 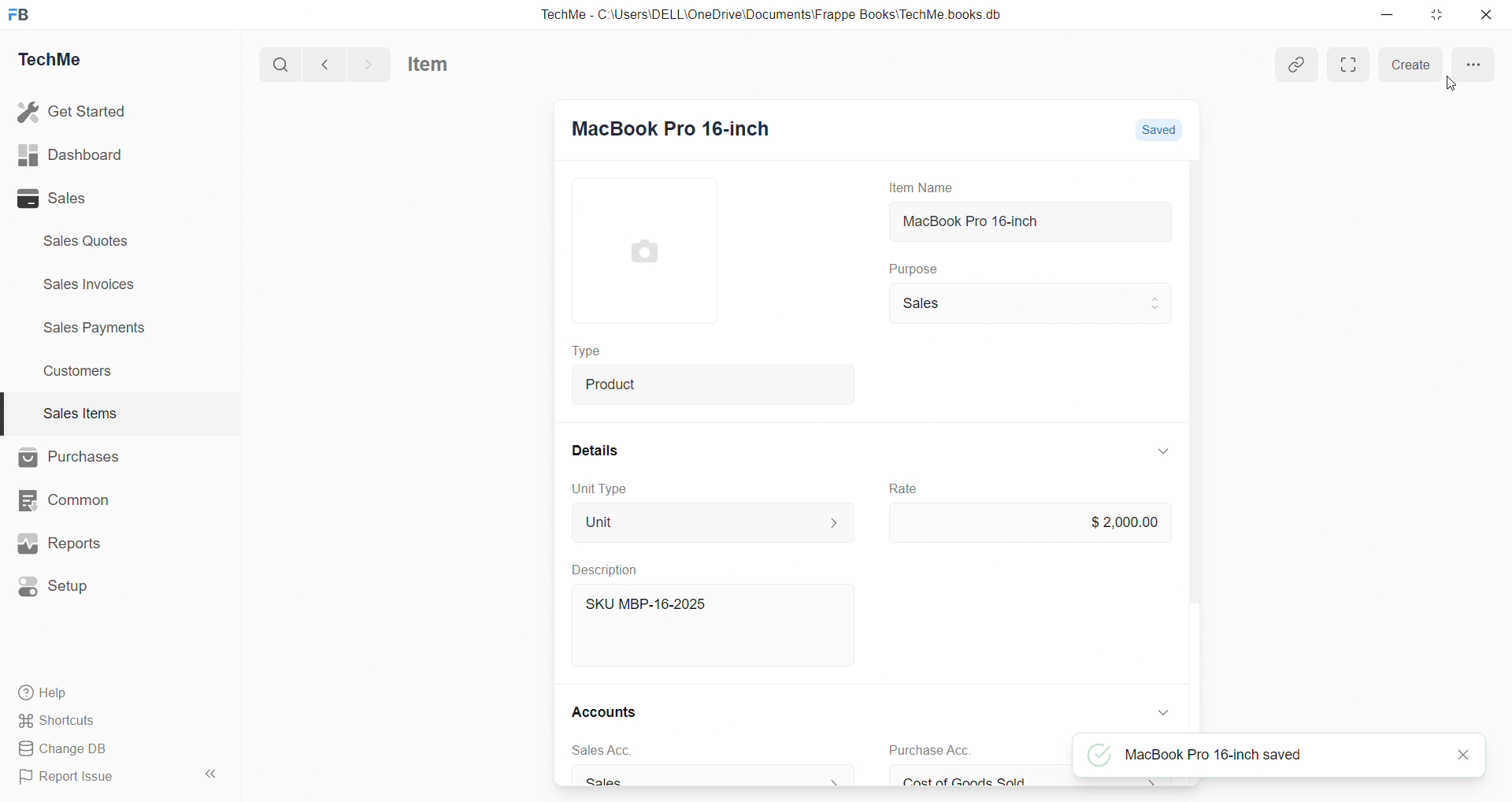 What do you see at coordinates (1487, 14) in the screenshot?
I see `close` at bounding box center [1487, 14].